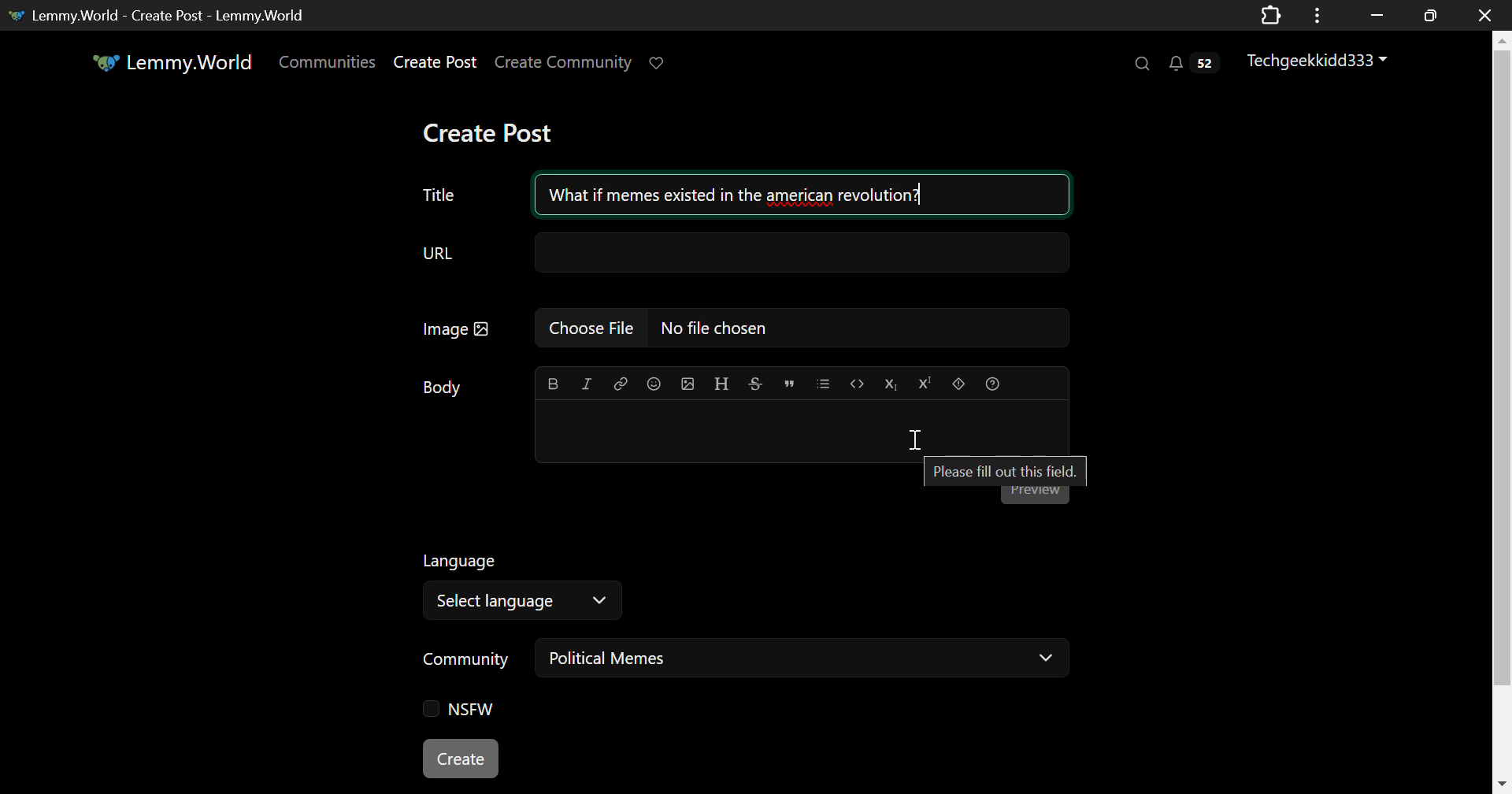 This screenshot has height=794, width=1512. Describe the element at coordinates (326, 61) in the screenshot. I see `Communities Page` at that location.